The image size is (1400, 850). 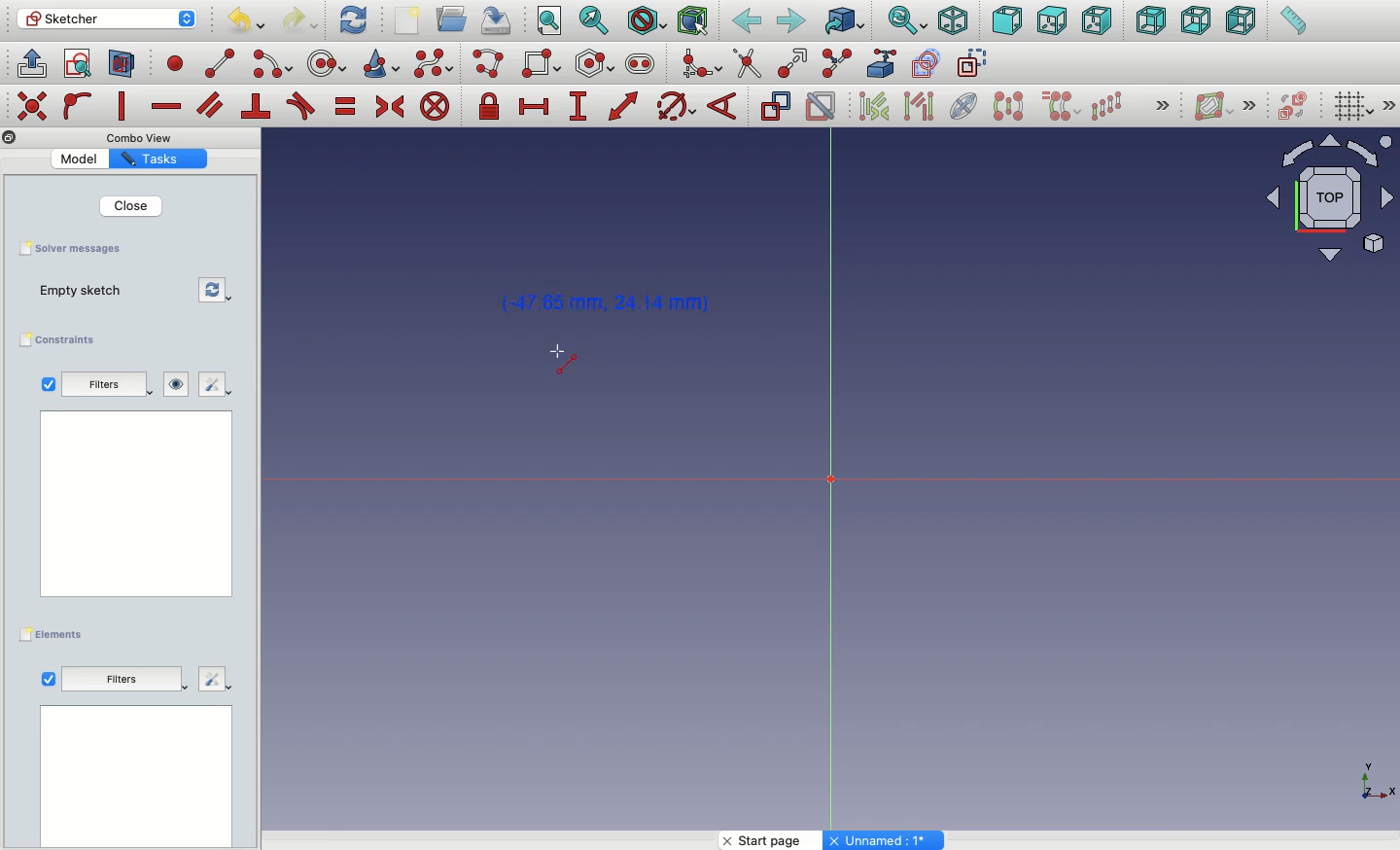 What do you see at coordinates (62, 339) in the screenshot?
I see `Constraints ` at bounding box center [62, 339].